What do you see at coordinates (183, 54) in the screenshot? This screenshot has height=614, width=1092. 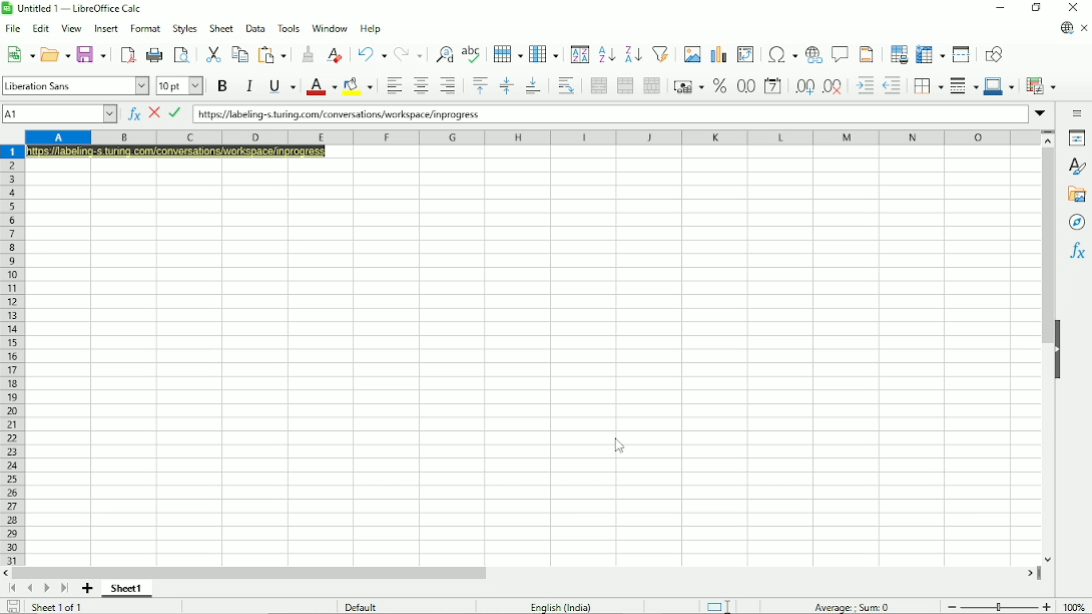 I see `Toggle print preview` at bounding box center [183, 54].